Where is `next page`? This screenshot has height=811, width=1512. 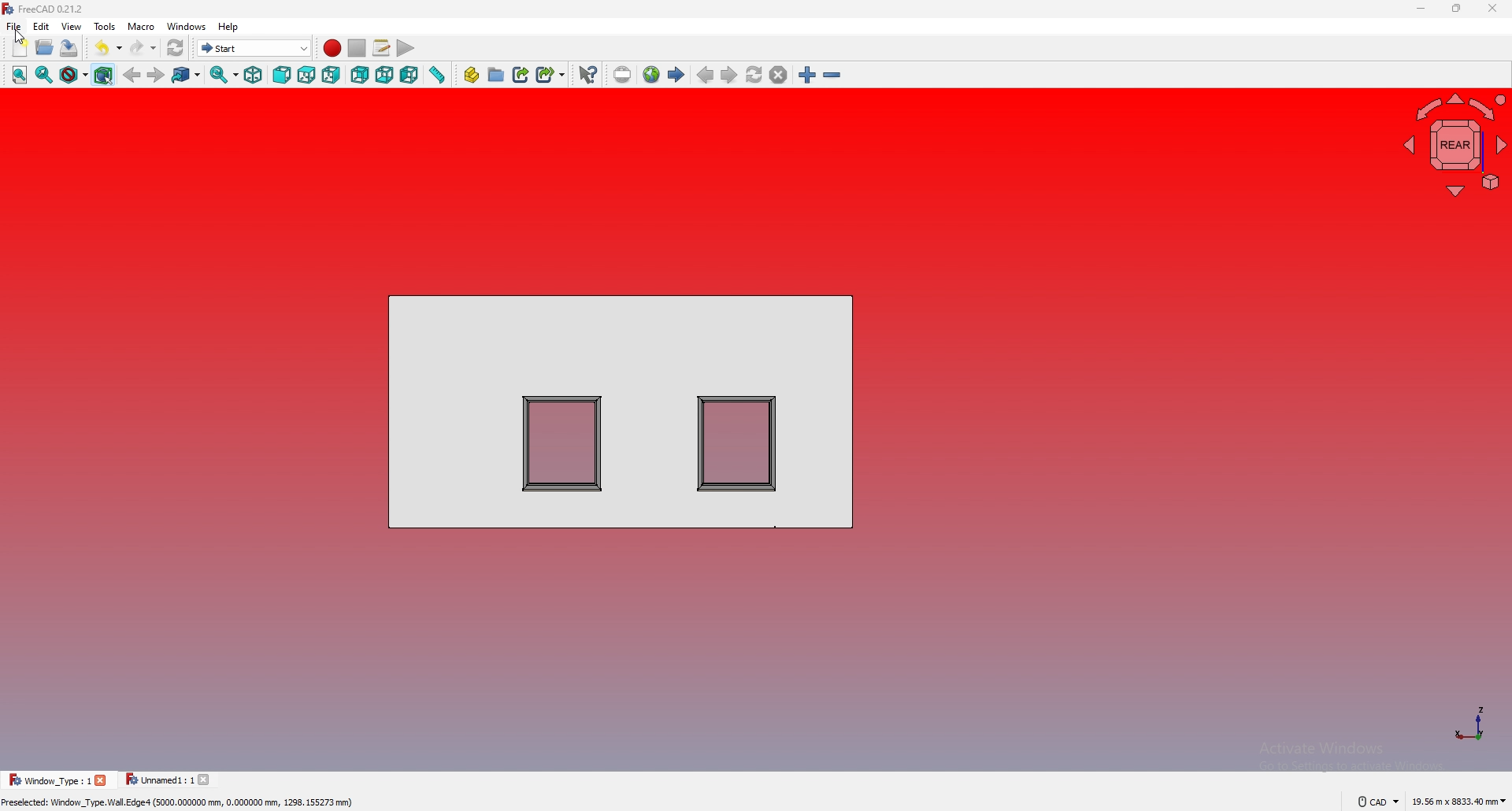 next page is located at coordinates (728, 75).